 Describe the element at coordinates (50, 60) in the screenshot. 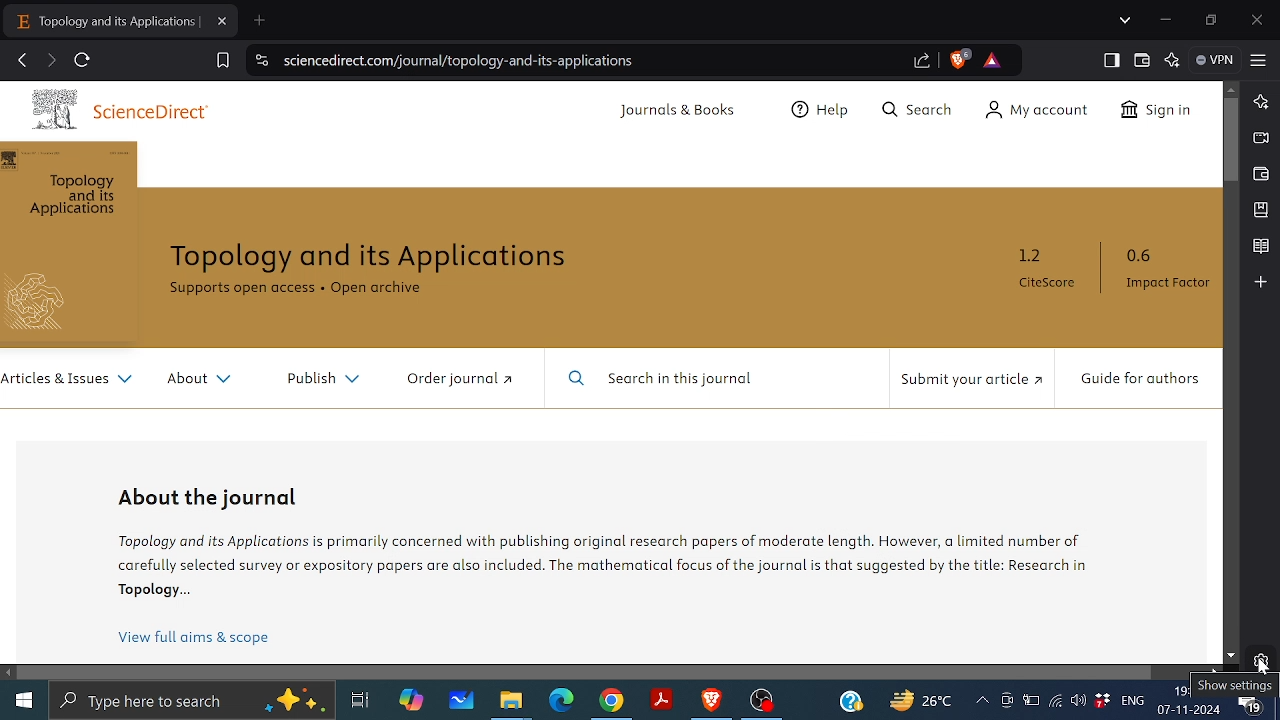

I see `Go forward` at that location.